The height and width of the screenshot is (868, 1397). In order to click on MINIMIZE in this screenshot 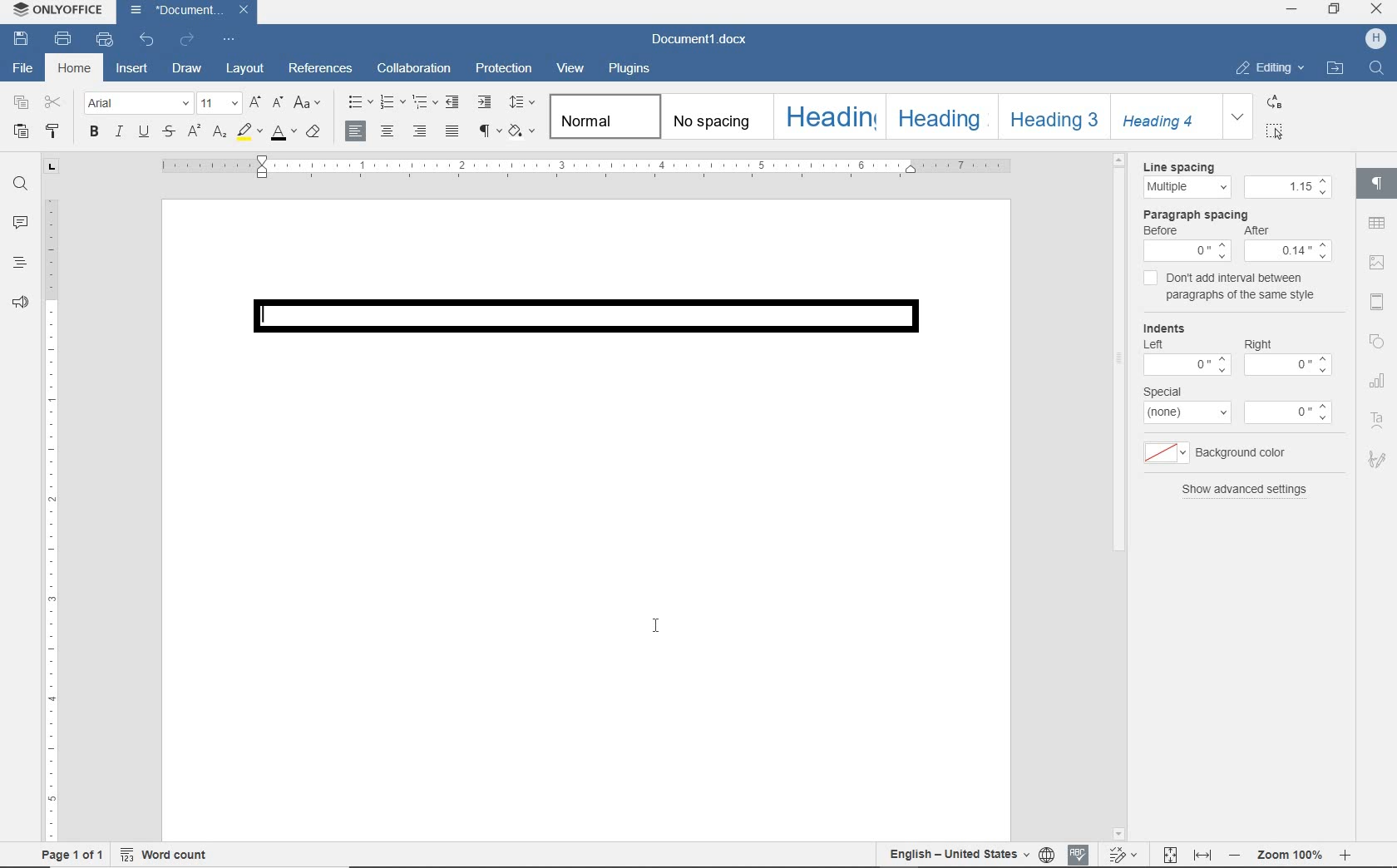, I will do `click(1292, 9)`.